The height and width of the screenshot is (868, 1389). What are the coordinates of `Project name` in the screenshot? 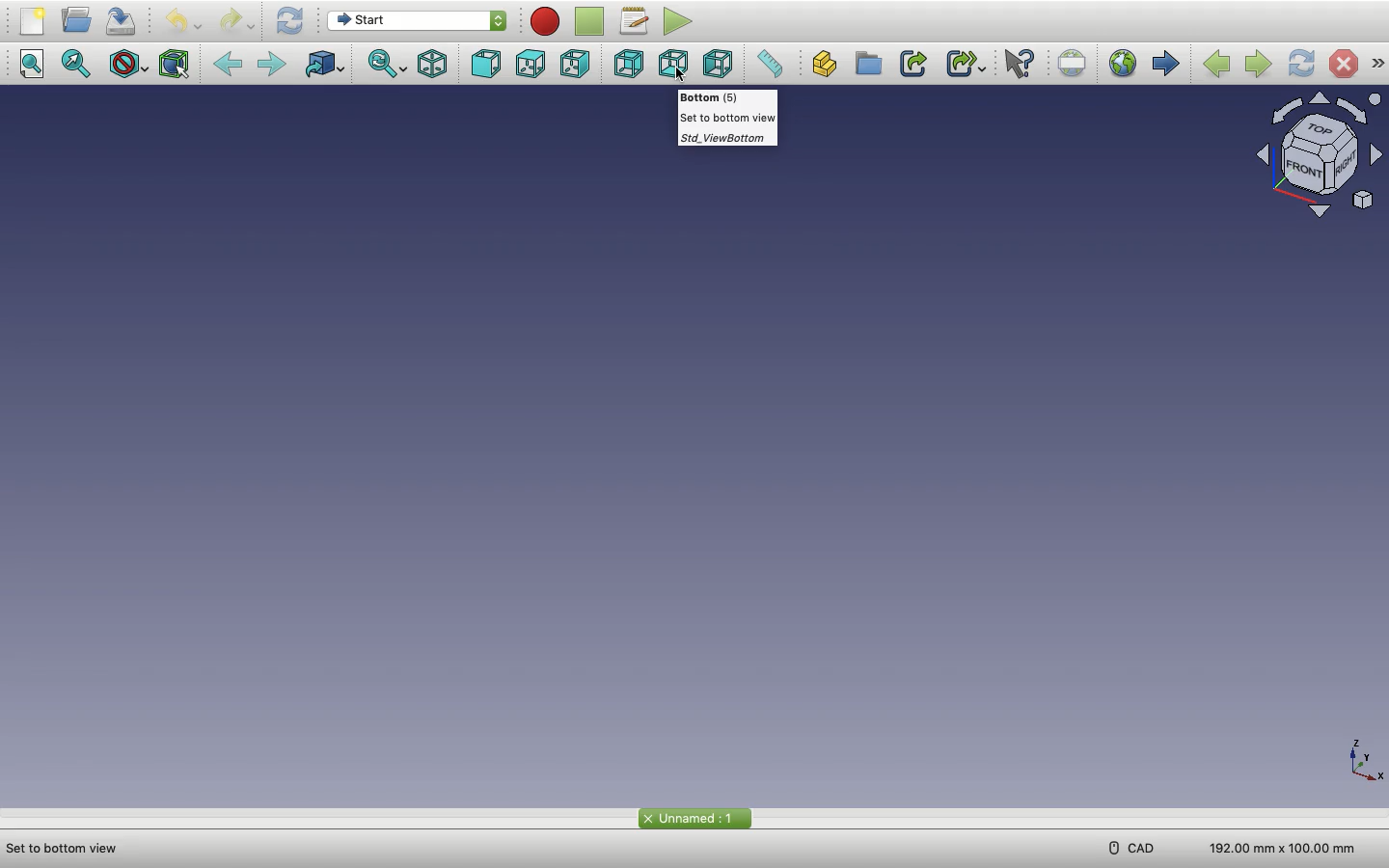 It's located at (694, 818).